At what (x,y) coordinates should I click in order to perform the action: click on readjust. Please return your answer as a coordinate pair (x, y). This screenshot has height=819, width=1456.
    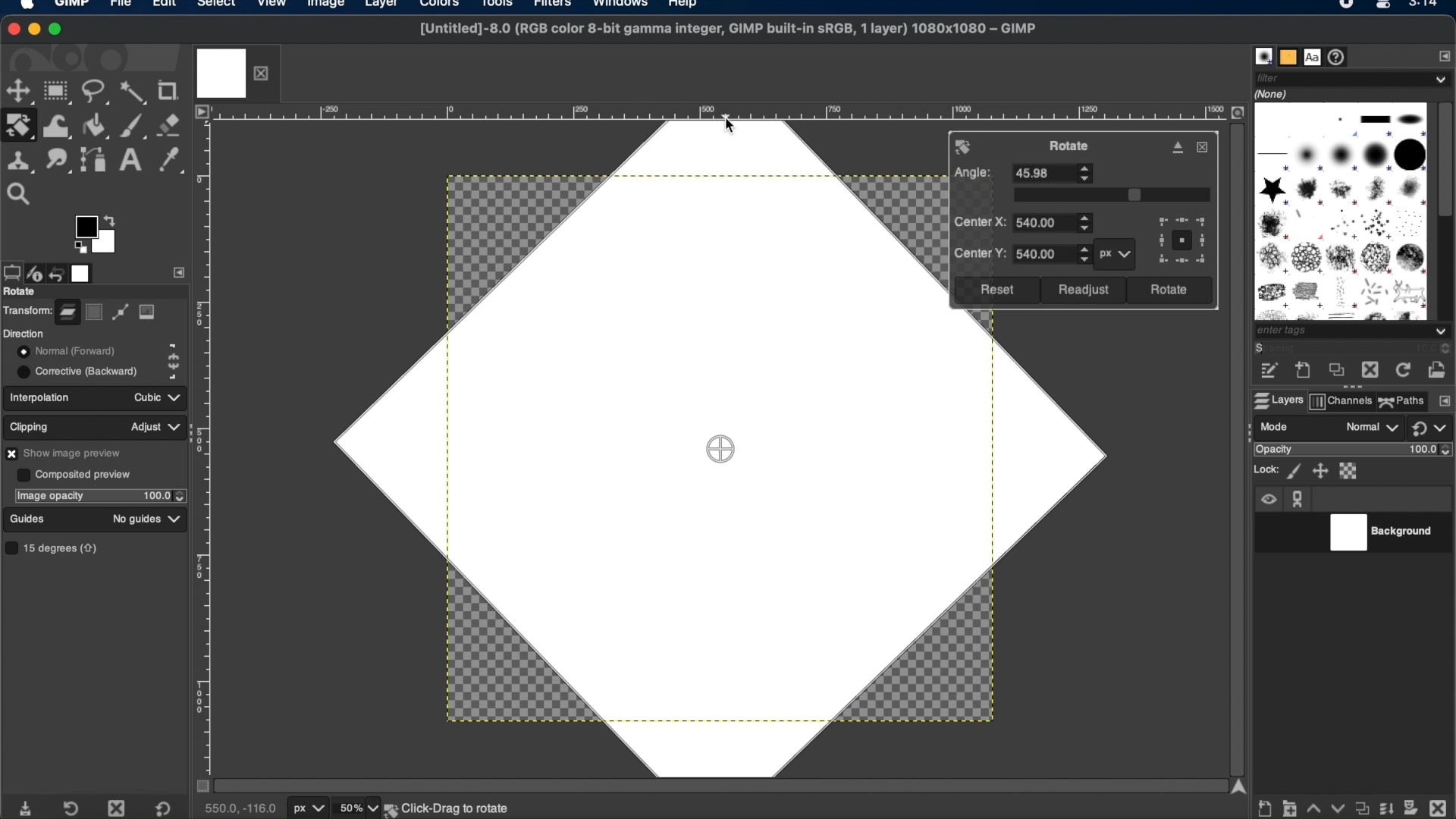
    Looking at the image, I should click on (1084, 290).